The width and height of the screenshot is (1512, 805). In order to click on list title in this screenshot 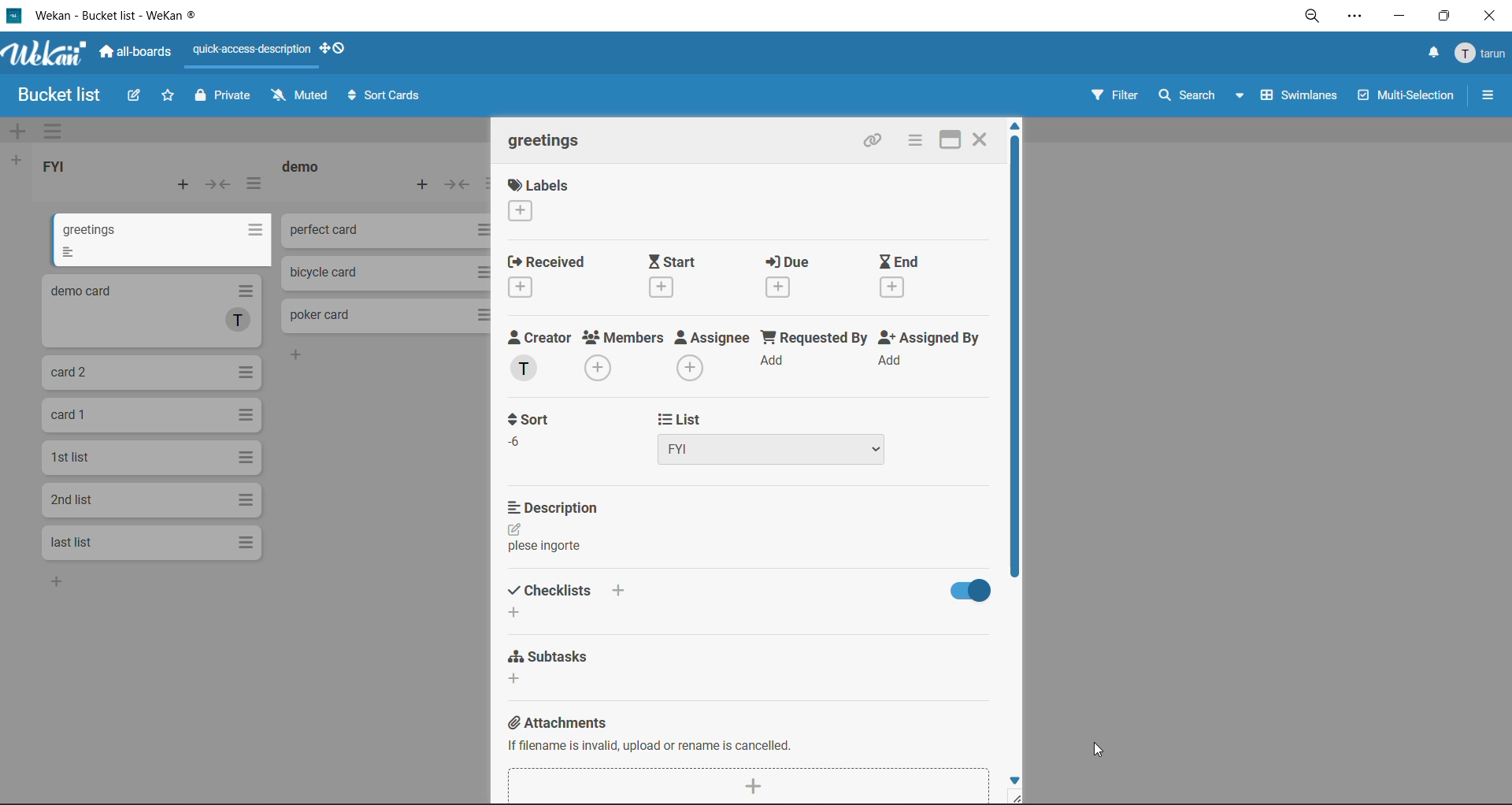, I will do `click(303, 168)`.